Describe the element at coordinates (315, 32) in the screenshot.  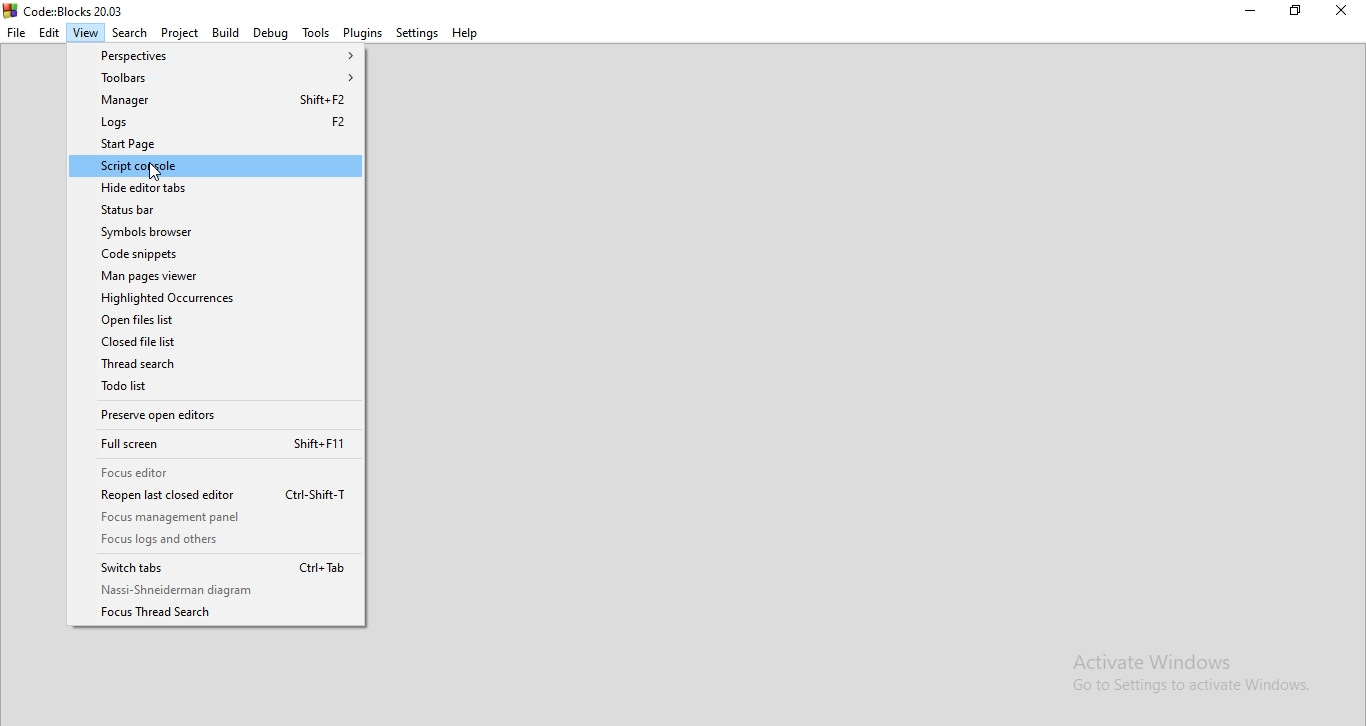
I see `Tools ` at that location.